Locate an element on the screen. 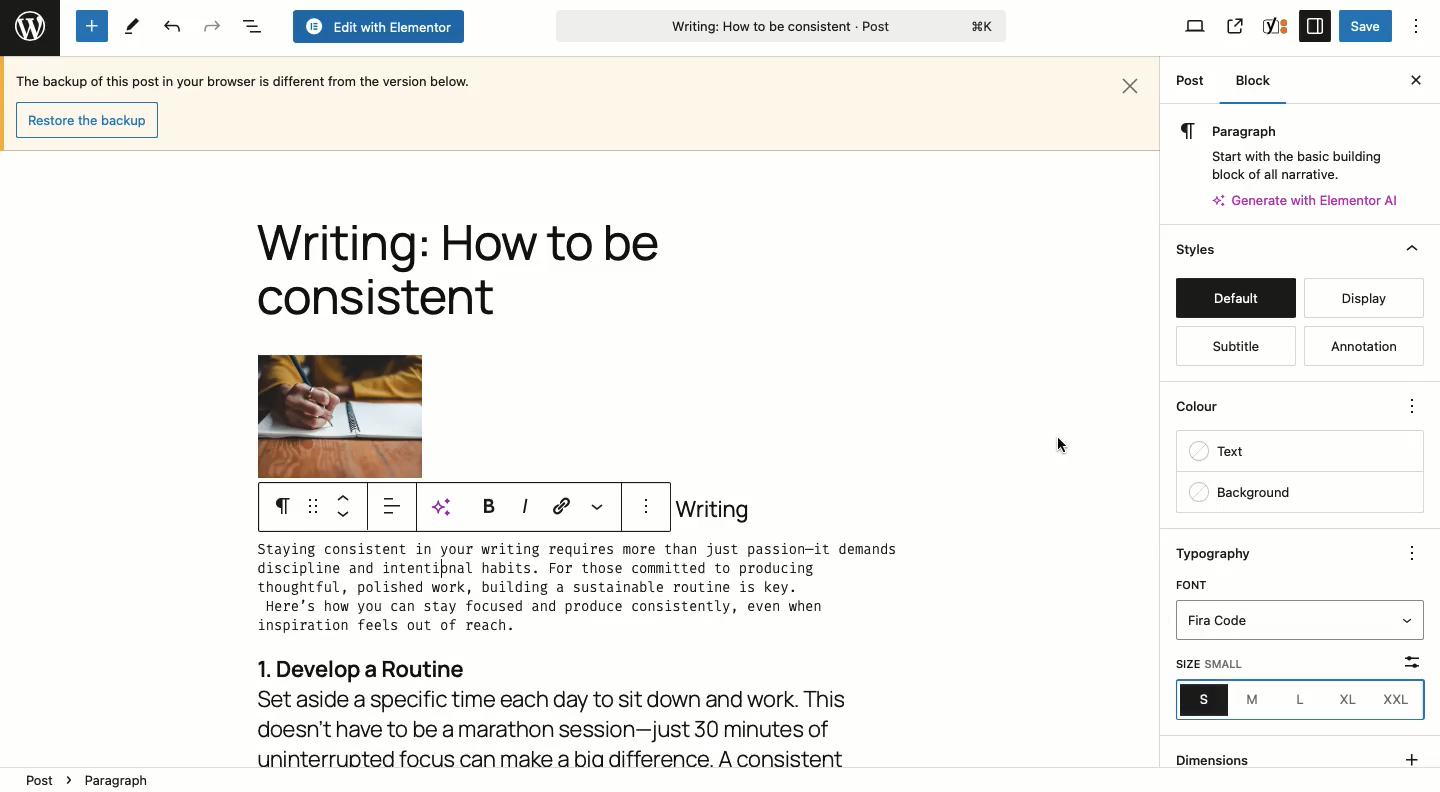 The width and height of the screenshot is (1440, 792). Image is located at coordinates (340, 416).